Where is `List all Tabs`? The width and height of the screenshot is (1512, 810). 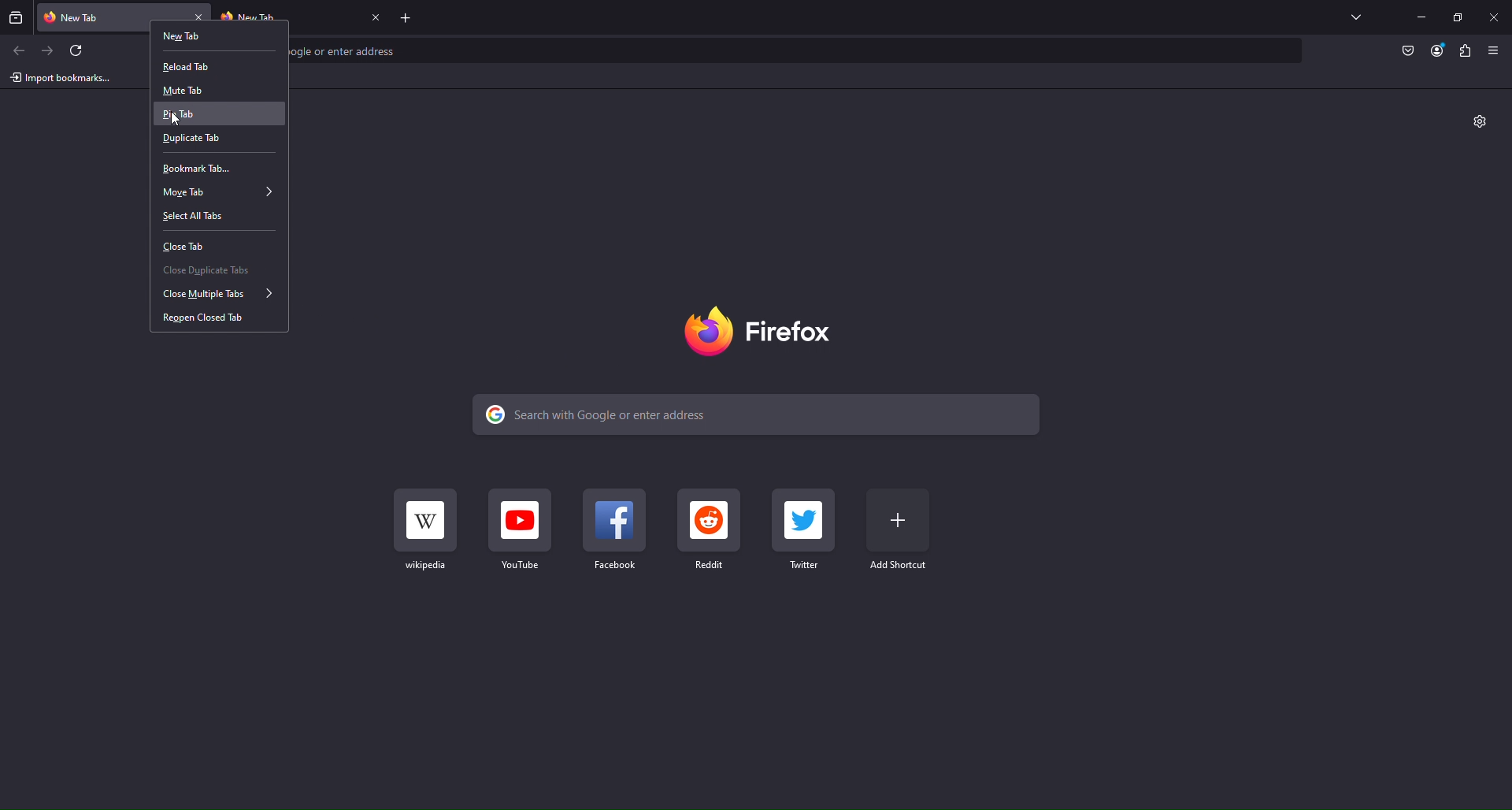
List all Tabs is located at coordinates (1355, 17).